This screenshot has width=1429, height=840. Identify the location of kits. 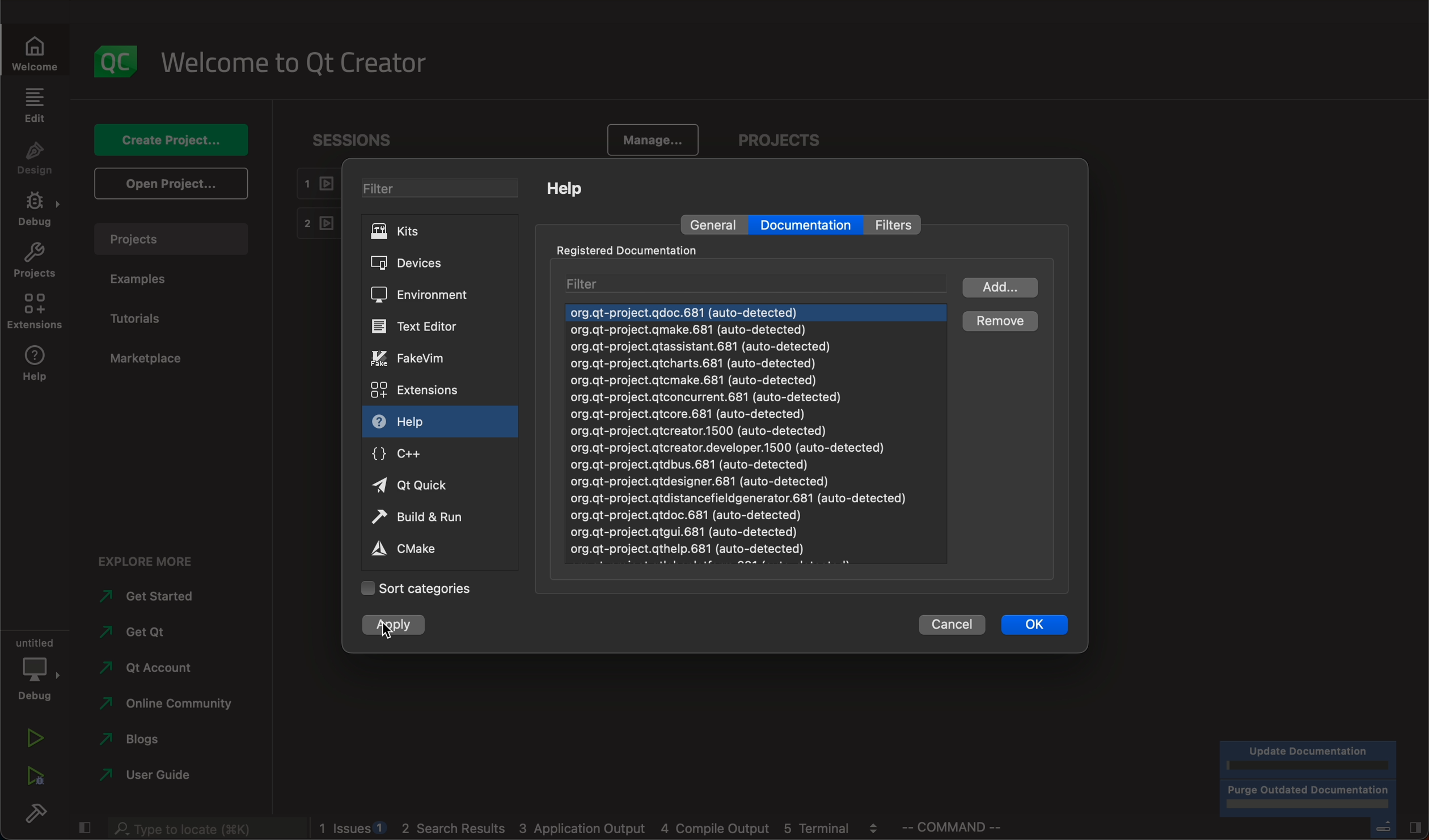
(445, 234).